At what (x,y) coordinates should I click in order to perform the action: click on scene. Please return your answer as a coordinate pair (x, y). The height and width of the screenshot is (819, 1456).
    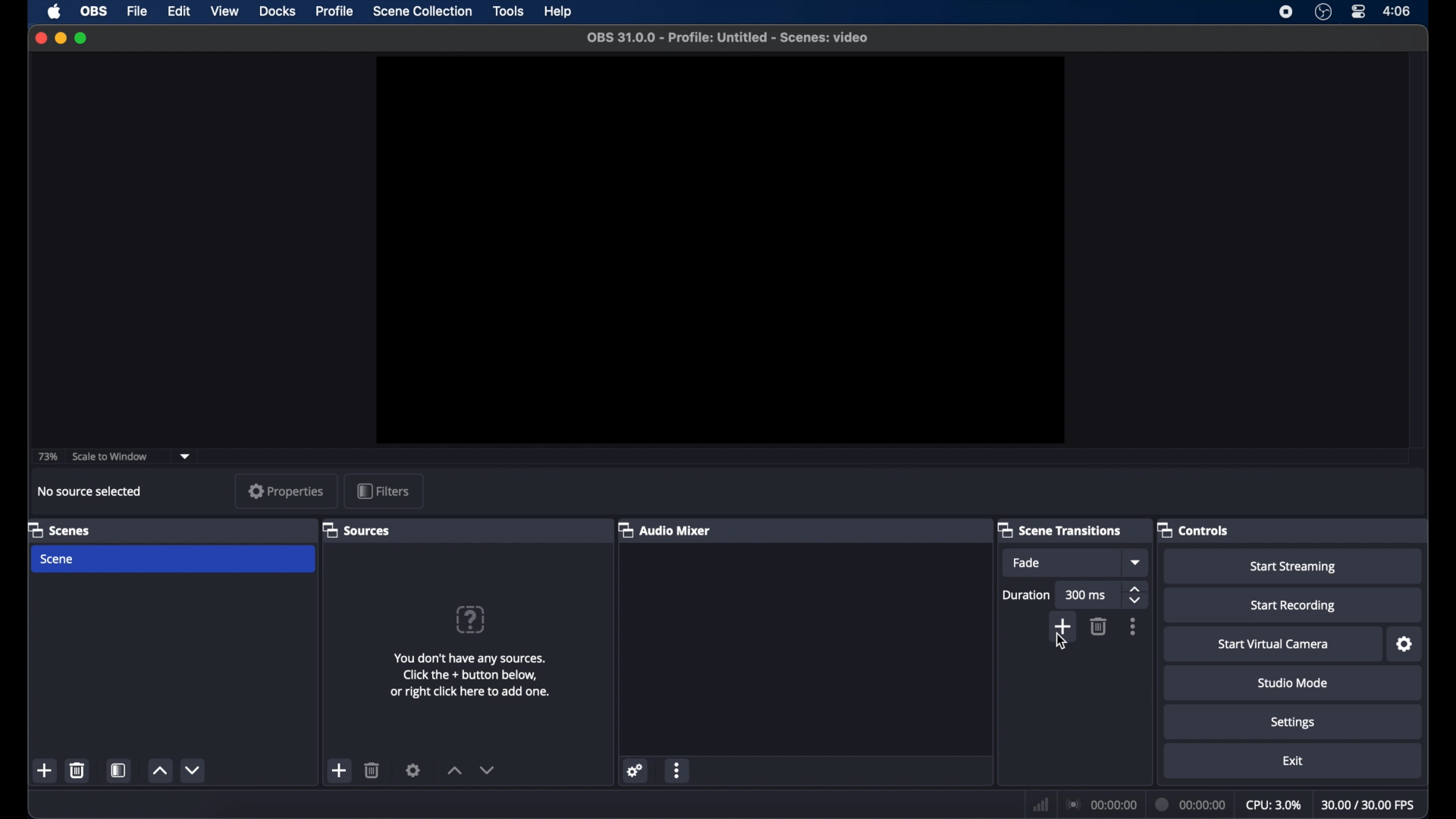
    Looking at the image, I should click on (59, 529).